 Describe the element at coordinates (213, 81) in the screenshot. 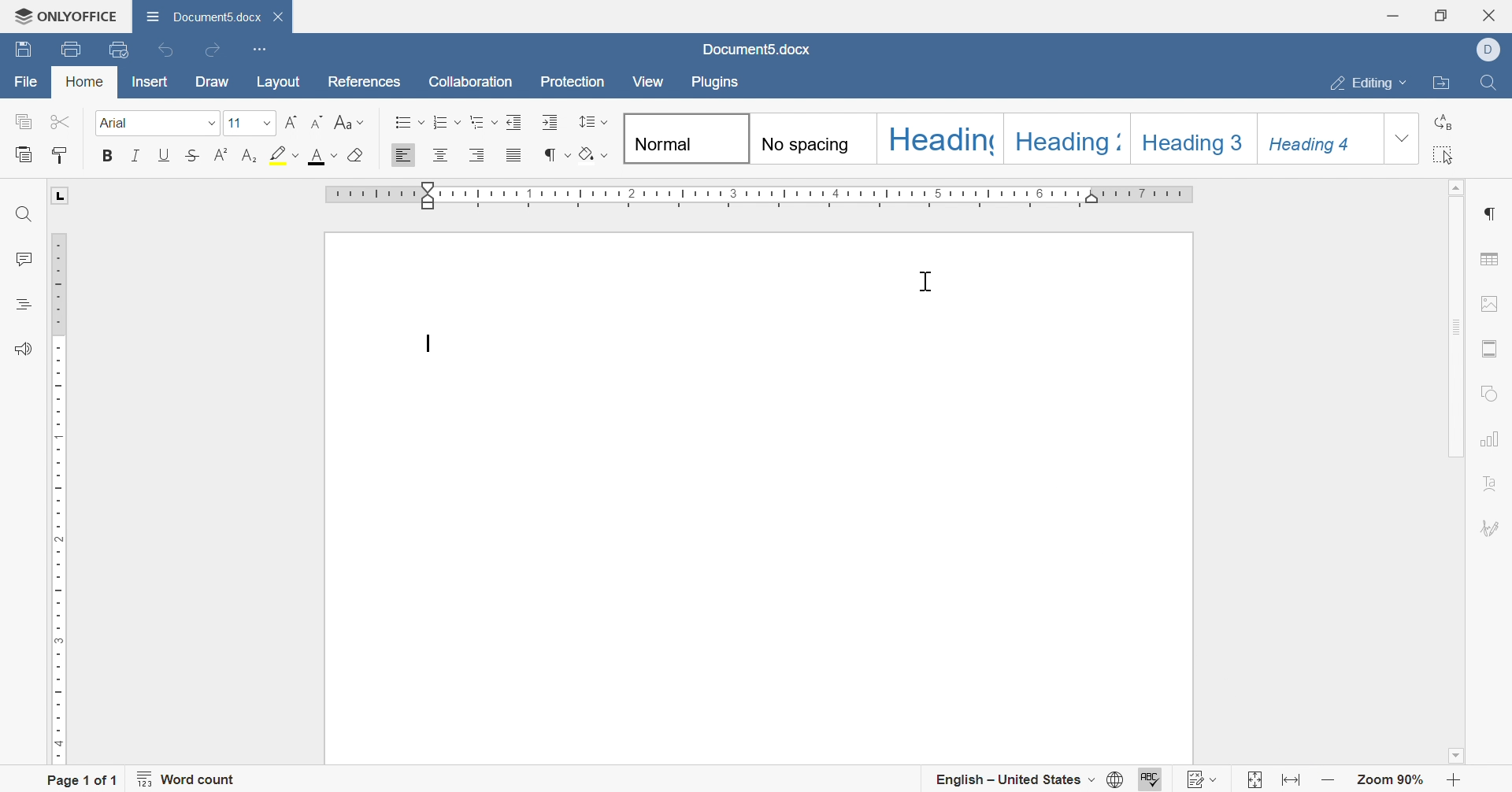

I see `draw` at that location.